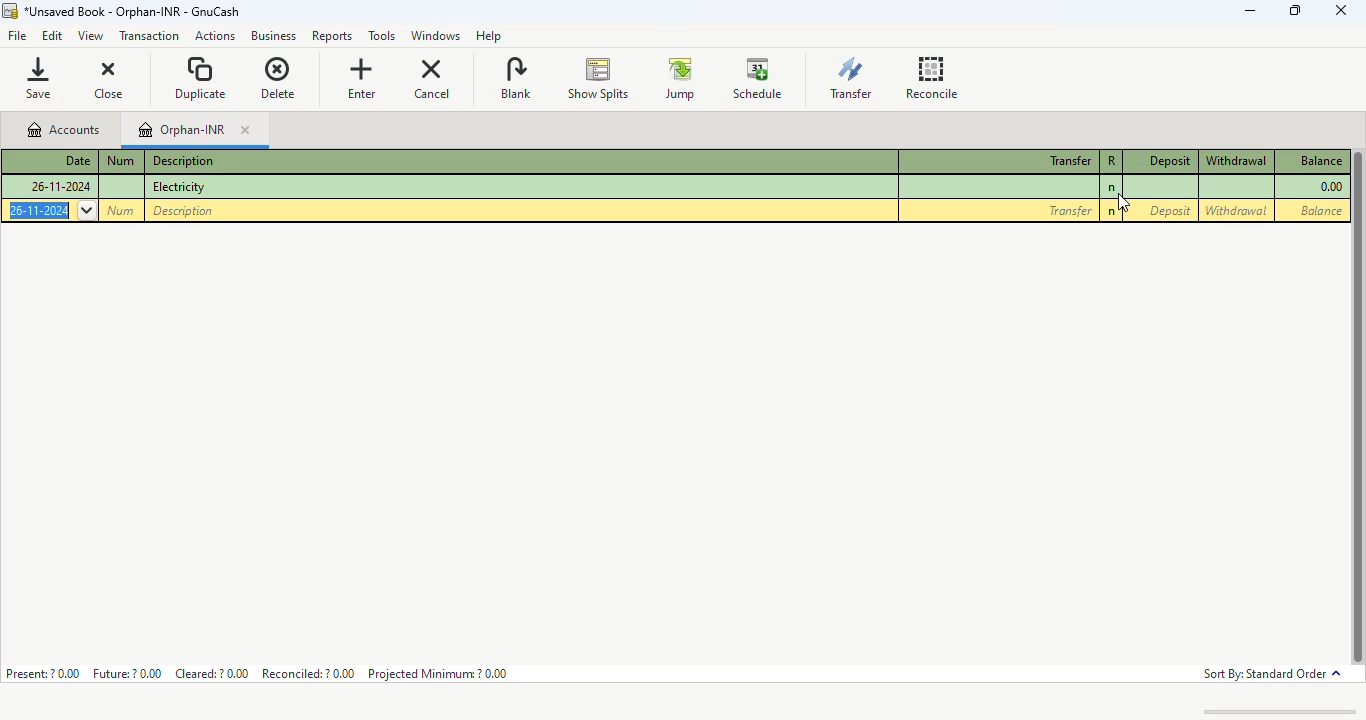  I want to click on present: ? 0.00, so click(42, 673).